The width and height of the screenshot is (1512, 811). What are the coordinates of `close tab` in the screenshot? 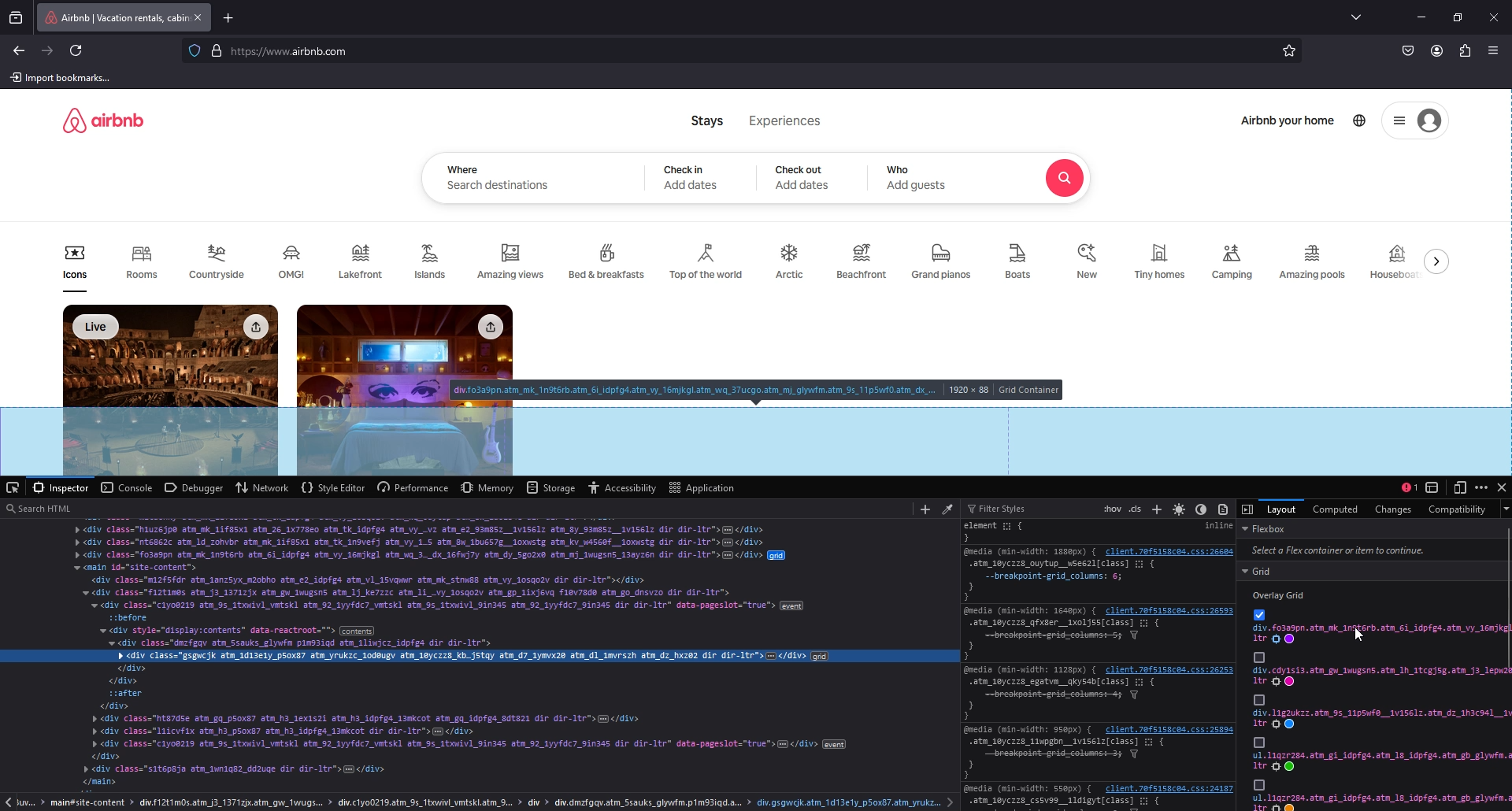 It's located at (198, 17).